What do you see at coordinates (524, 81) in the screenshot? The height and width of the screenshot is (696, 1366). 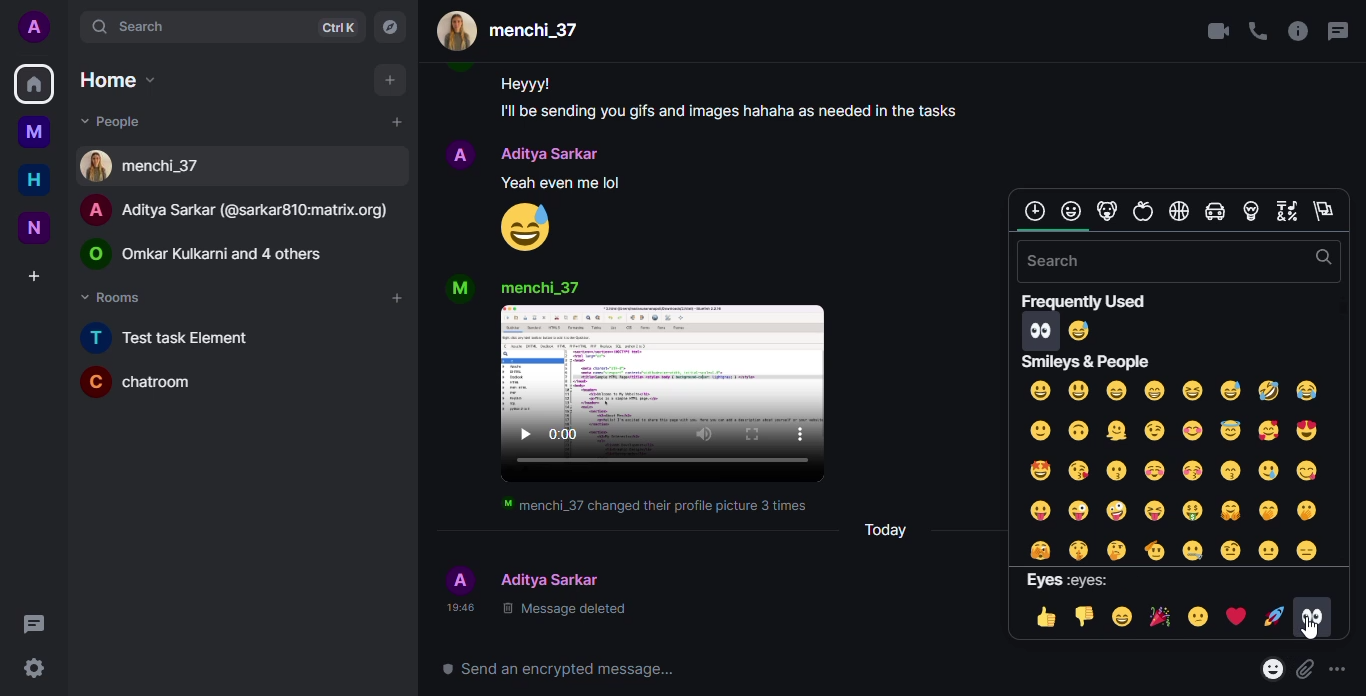 I see `message- heyyy!` at bounding box center [524, 81].